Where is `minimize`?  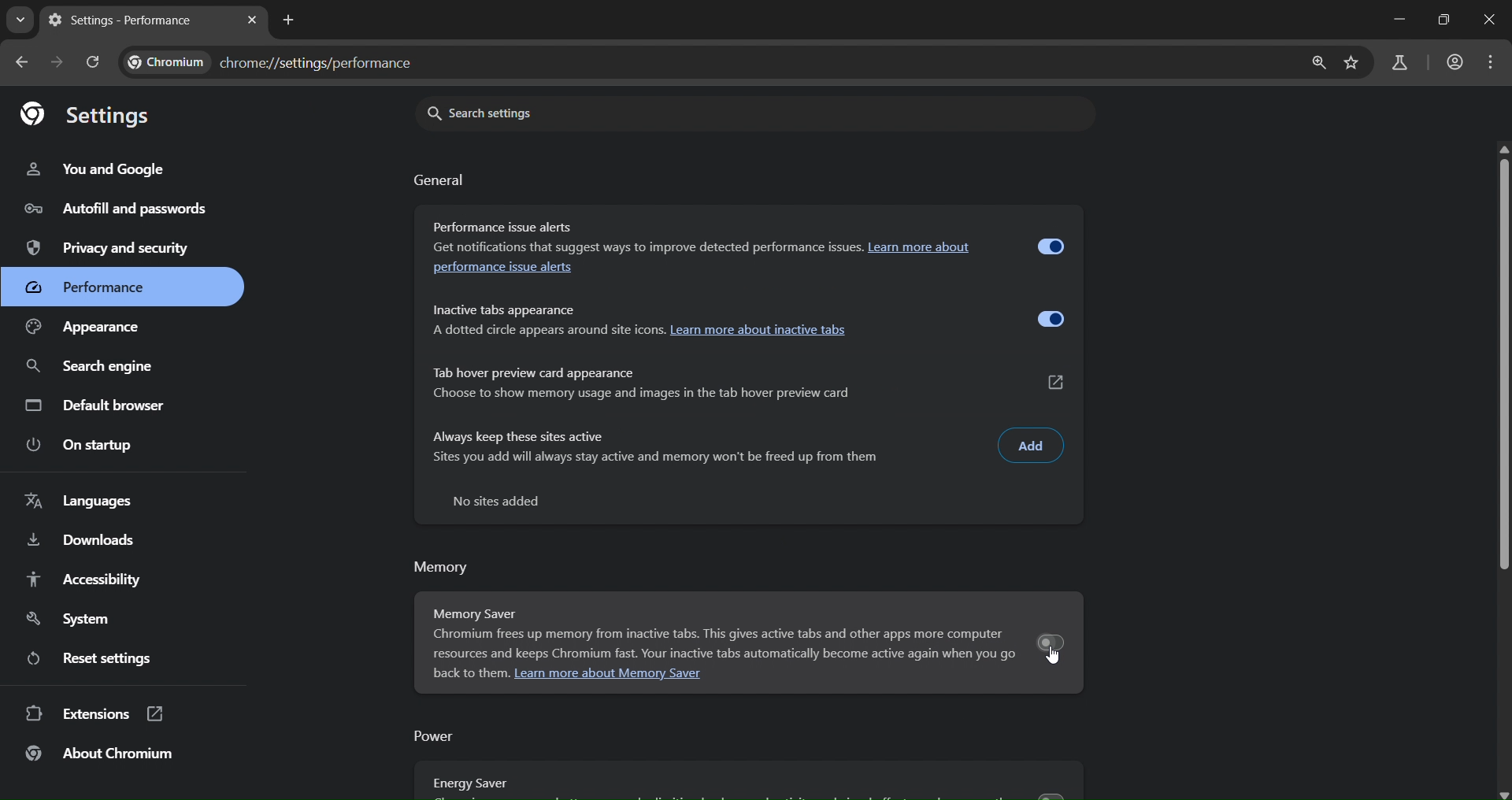 minimize is located at coordinates (1395, 17).